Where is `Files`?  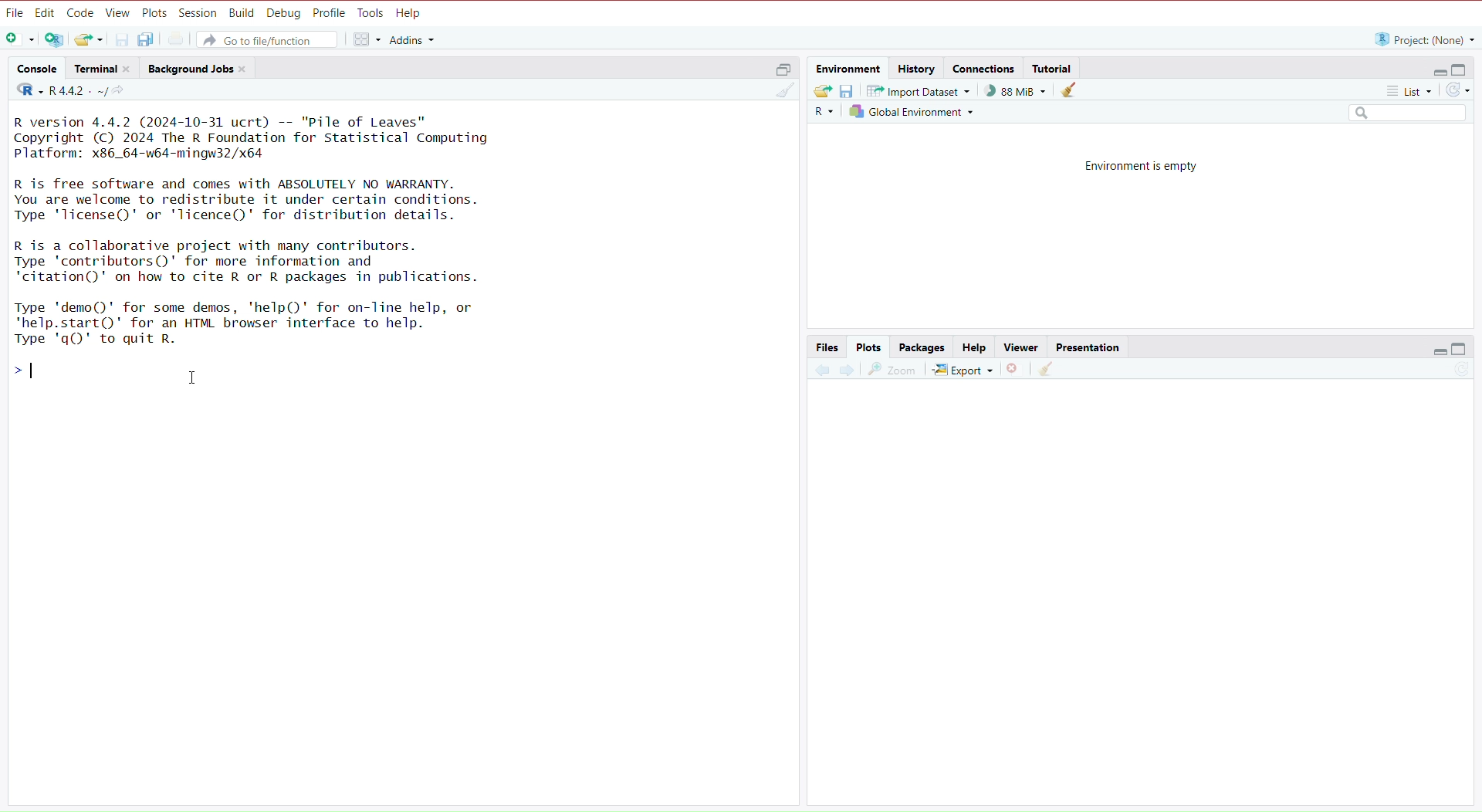
Files is located at coordinates (827, 346).